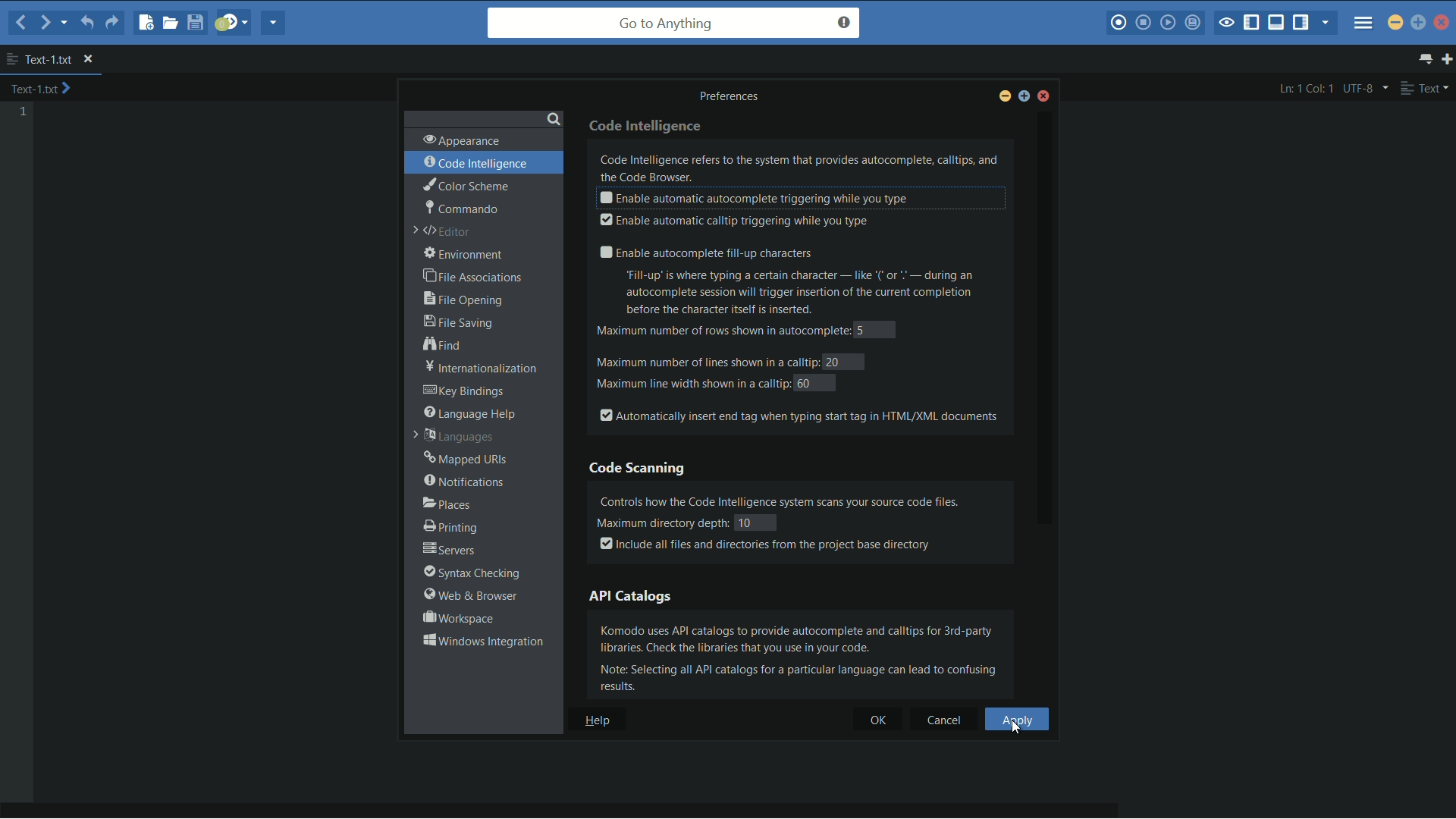  What do you see at coordinates (275, 24) in the screenshot?
I see `share current file` at bounding box center [275, 24].